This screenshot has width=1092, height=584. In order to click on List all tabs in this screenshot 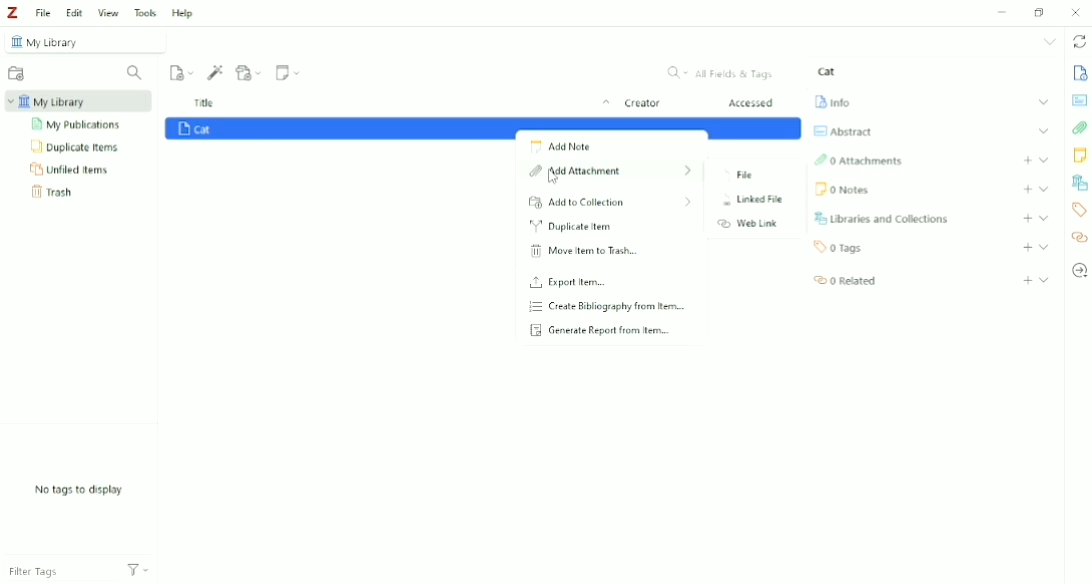, I will do `click(1051, 41)`.